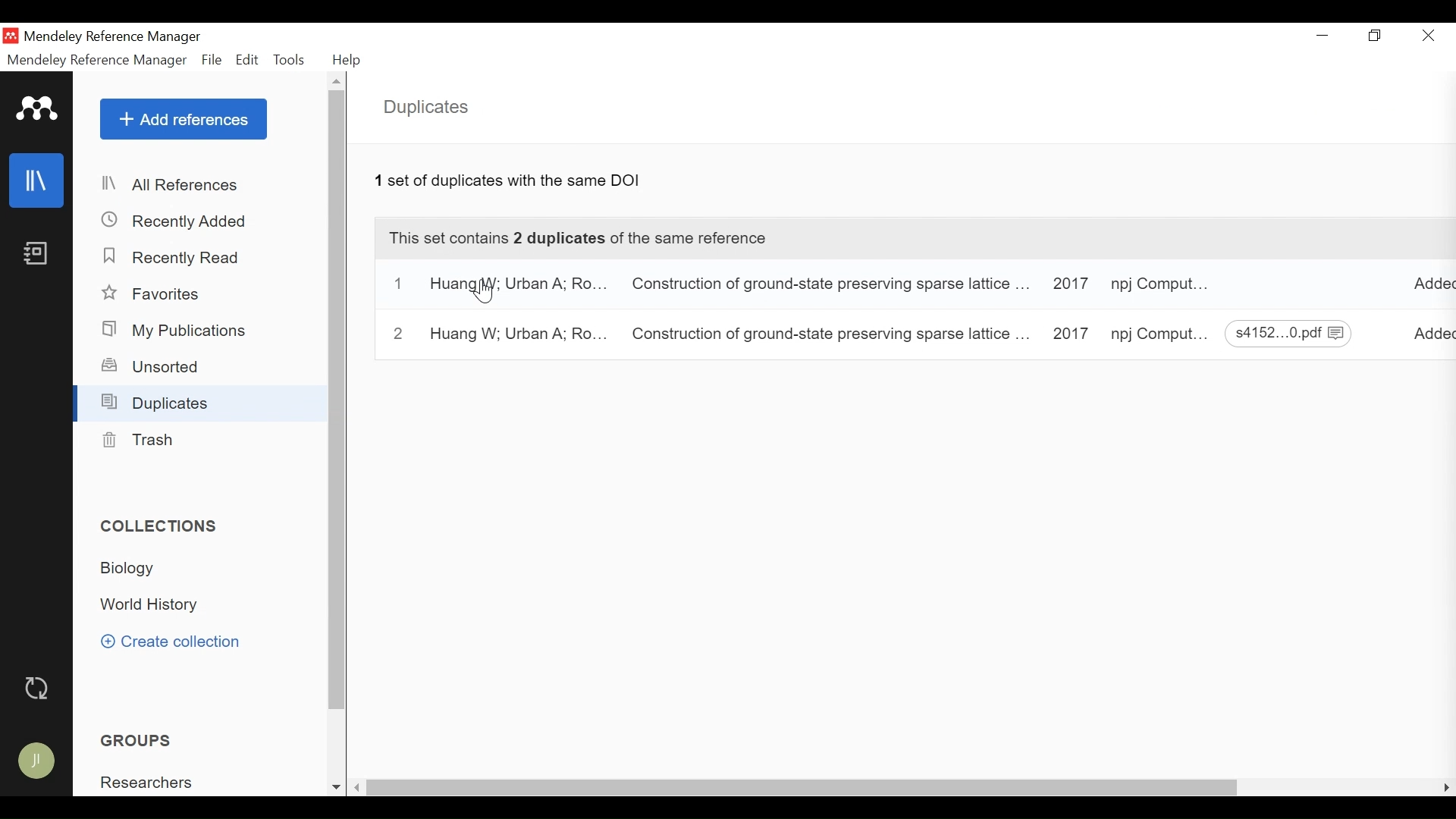  Describe the element at coordinates (152, 294) in the screenshot. I see `Favorites` at that location.